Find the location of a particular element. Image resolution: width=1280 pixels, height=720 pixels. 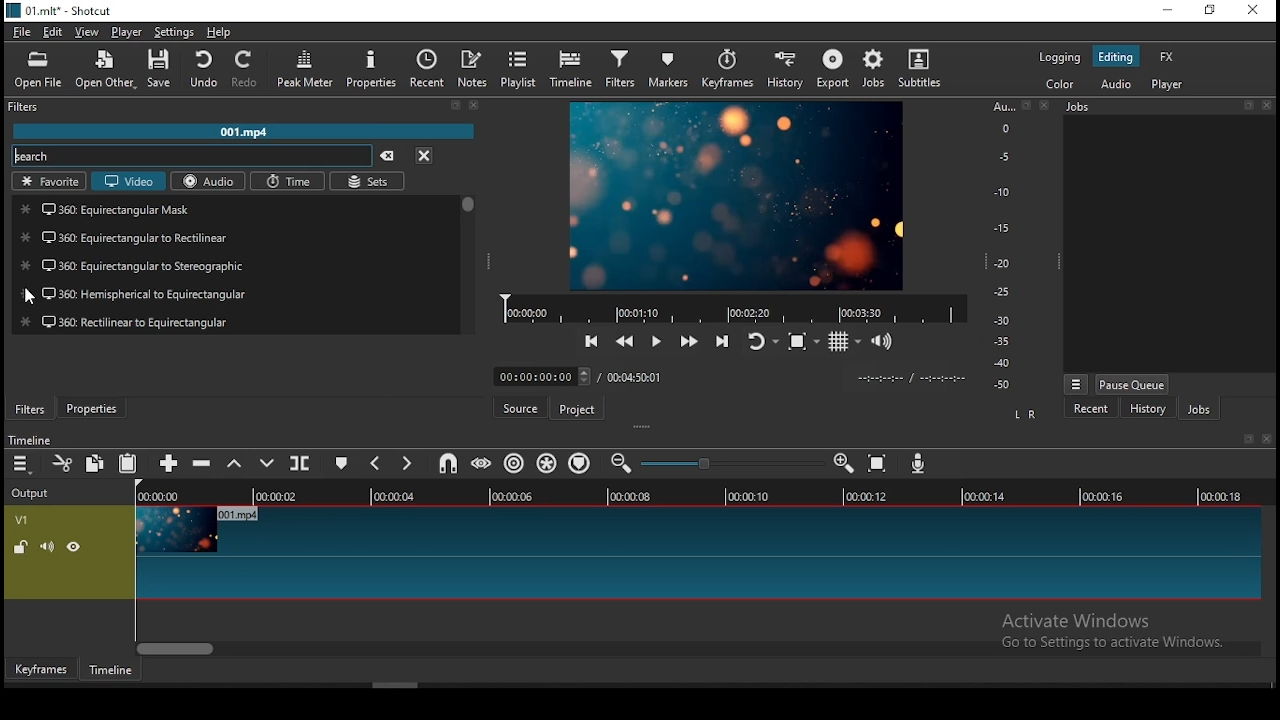

player is located at coordinates (125, 32).